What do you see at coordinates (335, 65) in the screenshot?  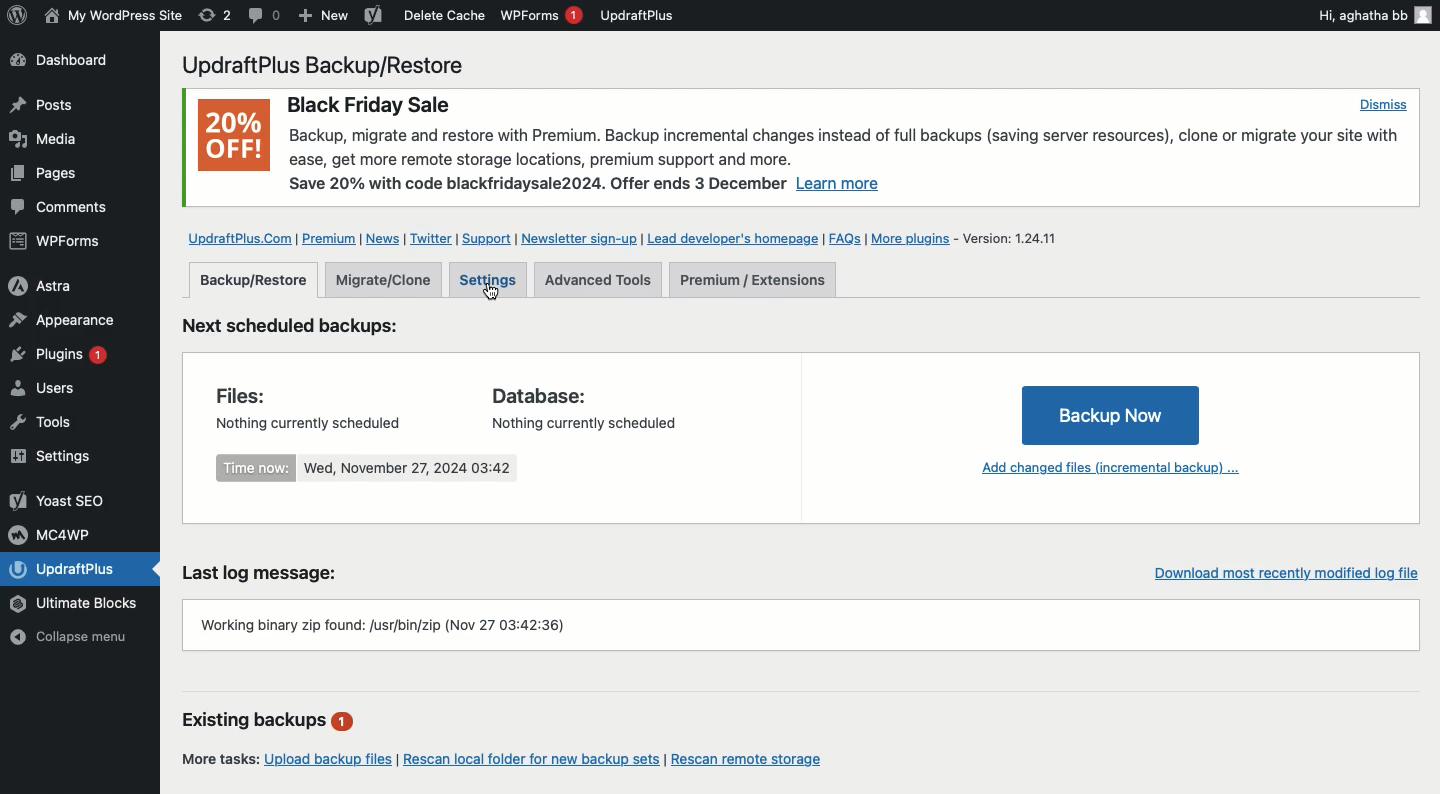 I see `UpdraftPlus Backup/Restore` at bounding box center [335, 65].